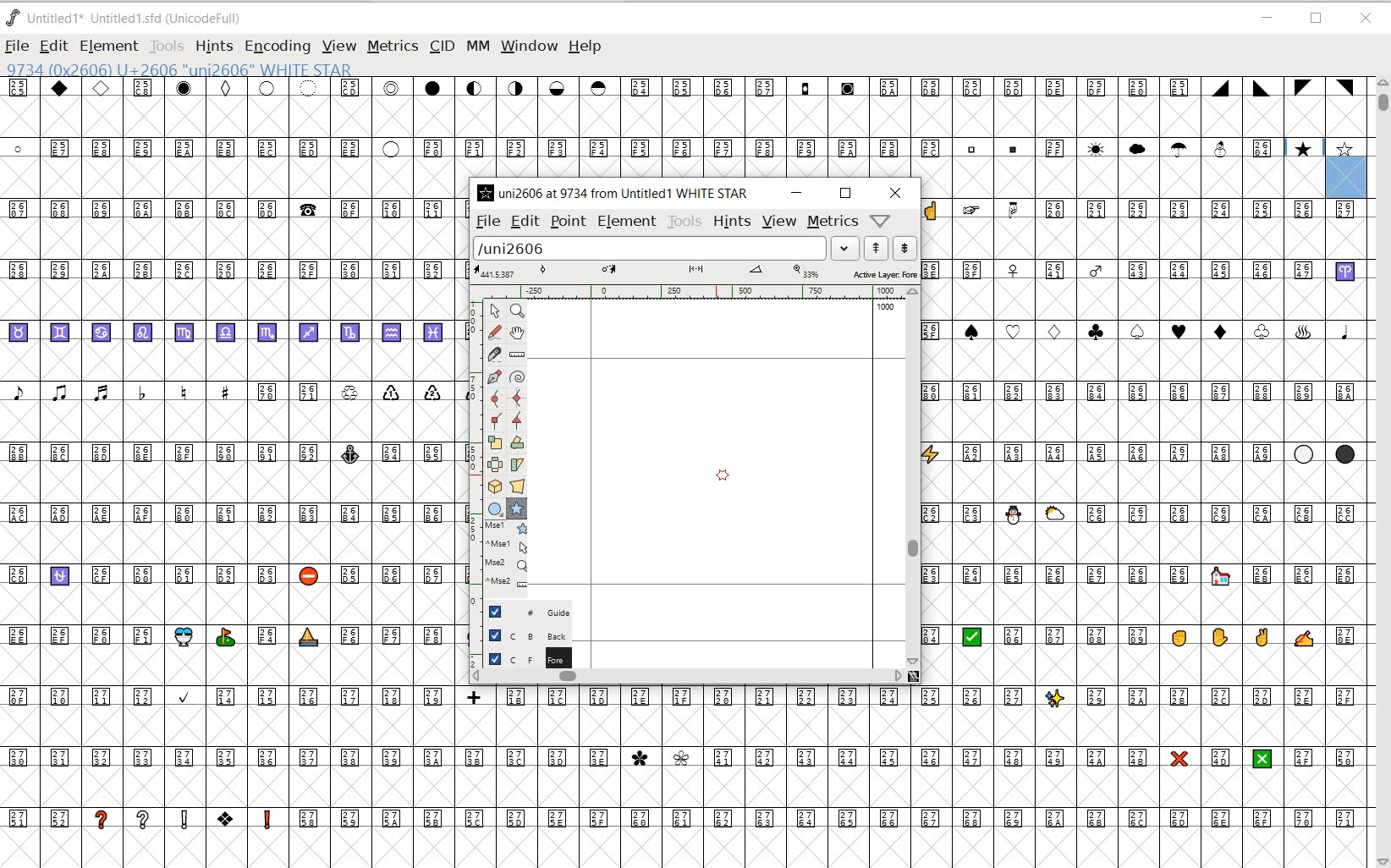 Image resolution: width=1391 pixels, height=868 pixels. I want to click on metrics, so click(833, 222).